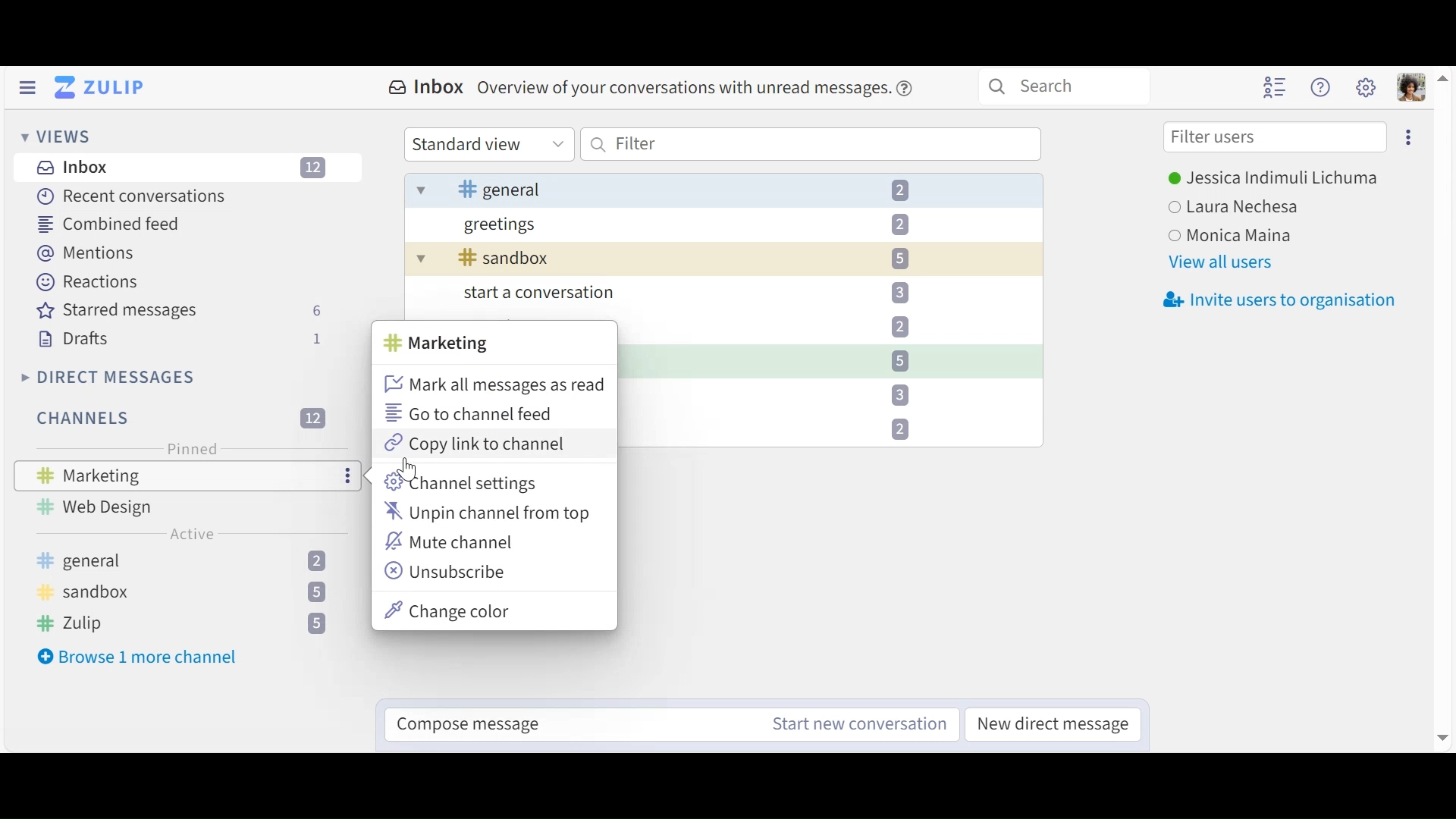 The height and width of the screenshot is (819, 1456). What do you see at coordinates (349, 476) in the screenshot?
I see `more options` at bounding box center [349, 476].